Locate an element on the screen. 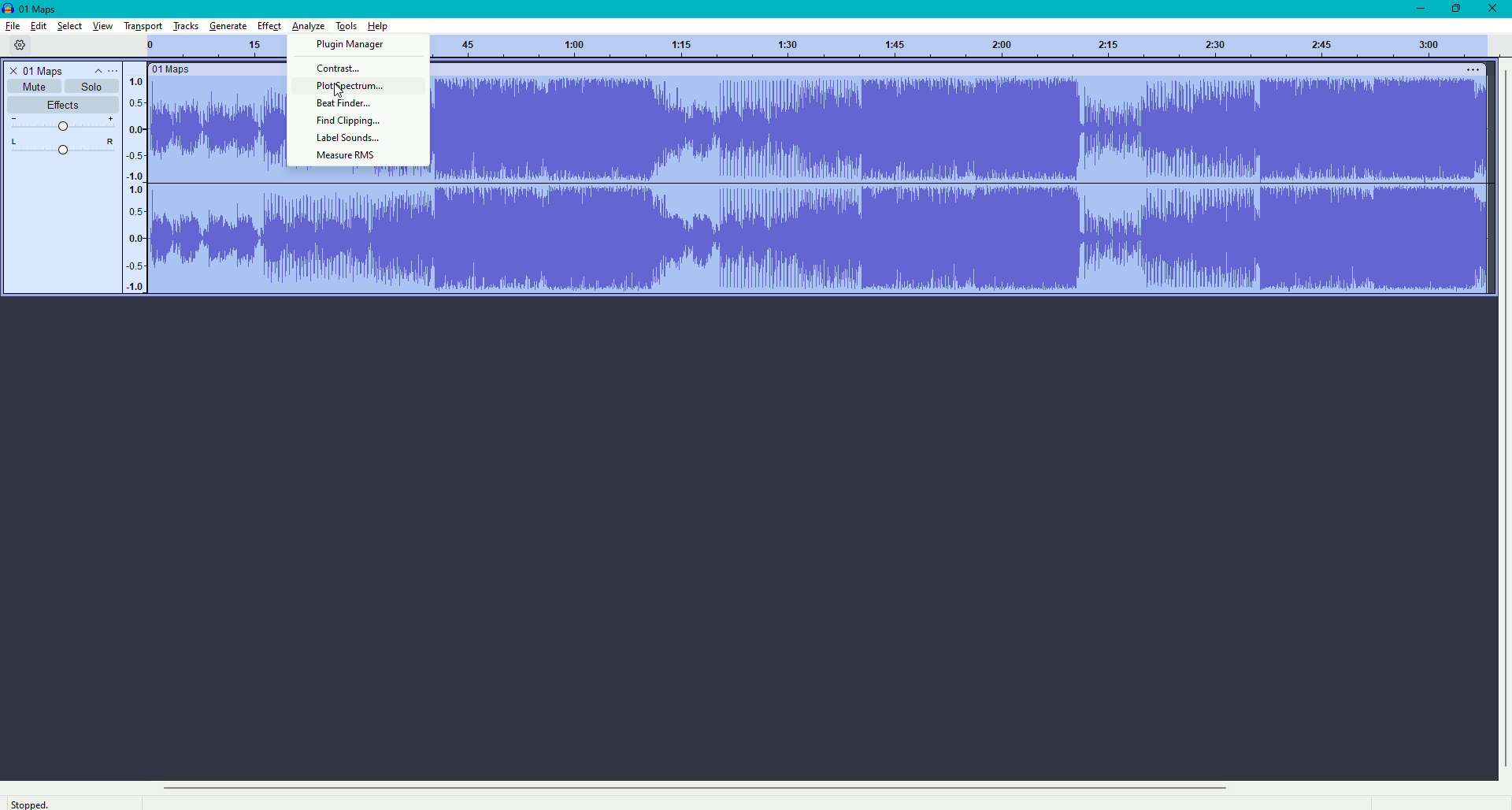 This screenshot has height=810, width=1512. horizontal scrollbar is located at coordinates (693, 787).